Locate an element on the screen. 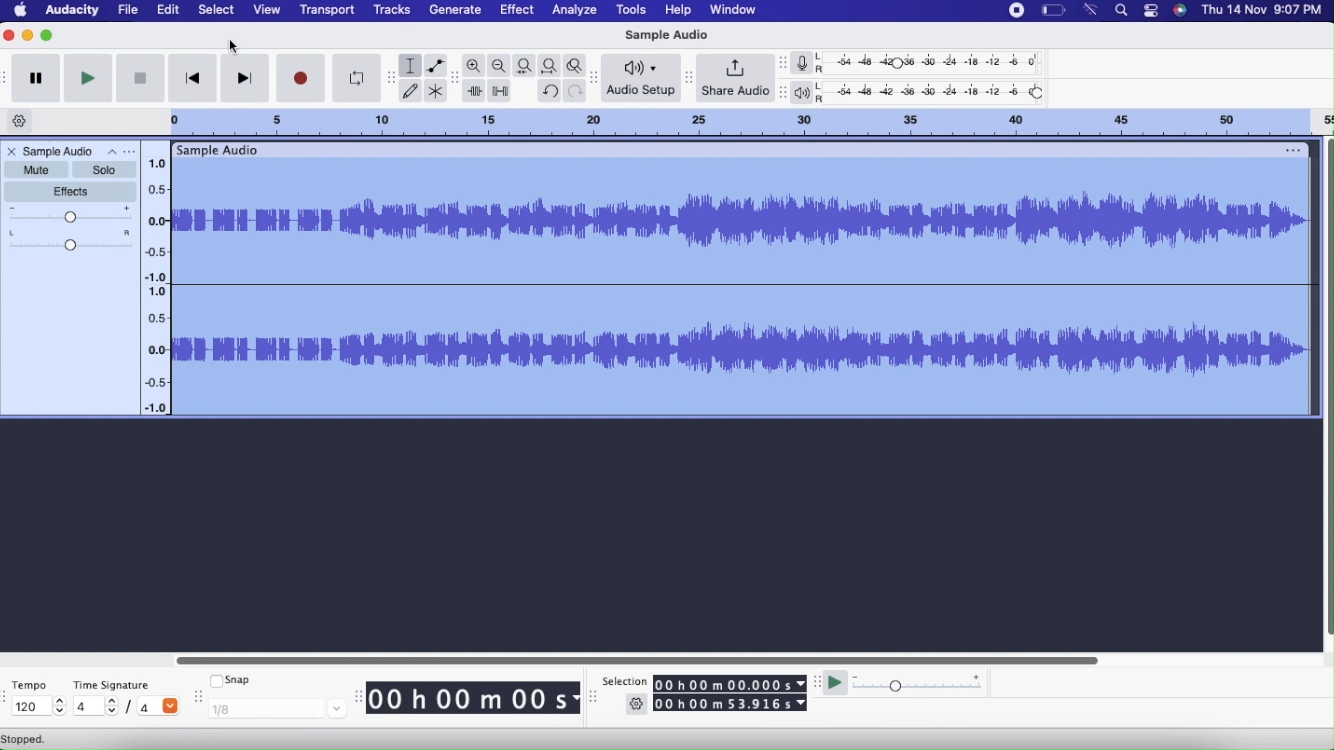 The width and height of the screenshot is (1334, 750). Timeline options is located at coordinates (22, 121).